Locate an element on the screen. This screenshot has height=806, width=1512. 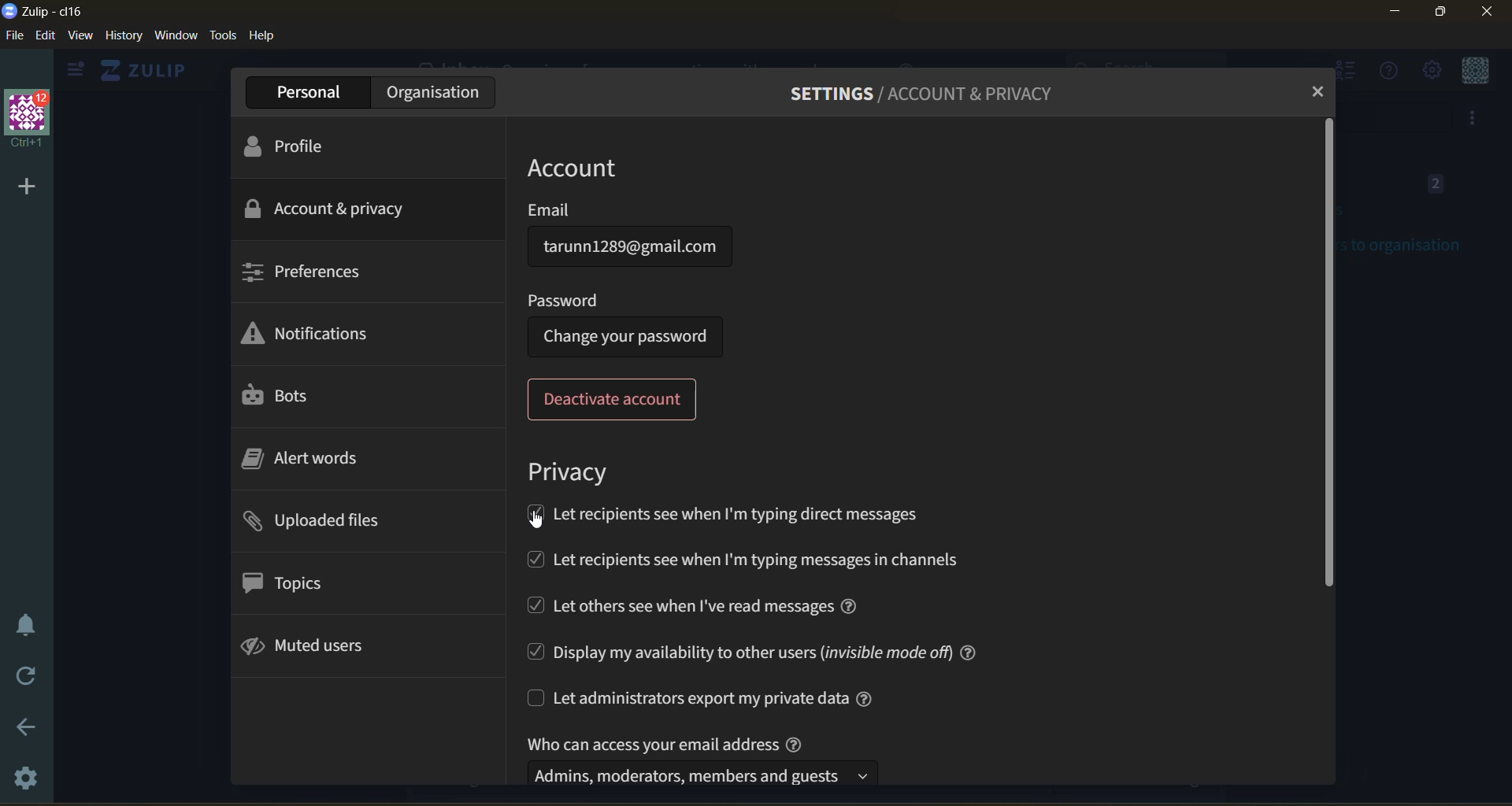
help is located at coordinates (262, 36).